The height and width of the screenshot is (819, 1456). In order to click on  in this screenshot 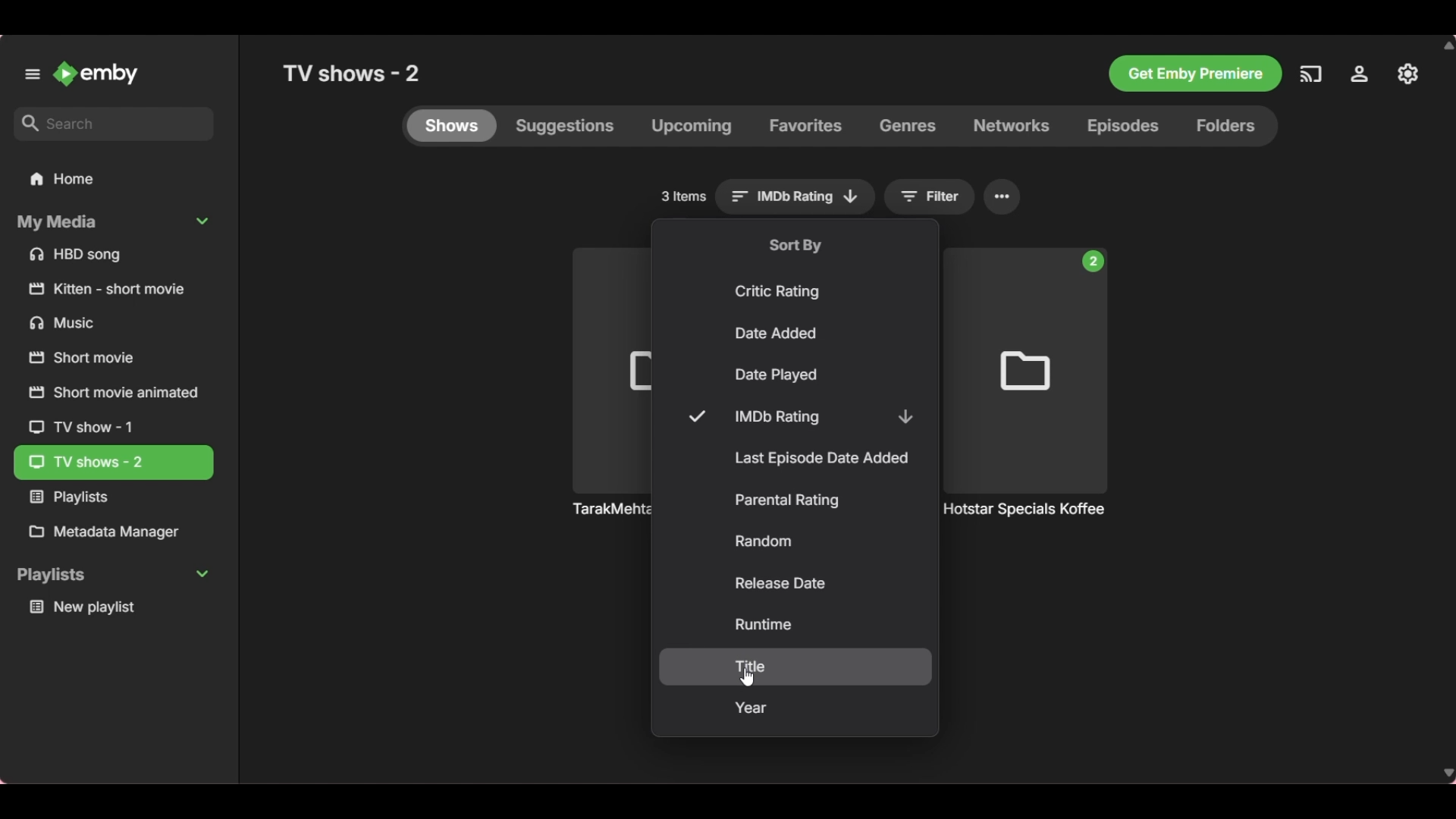, I will do `click(1408, 73)`.